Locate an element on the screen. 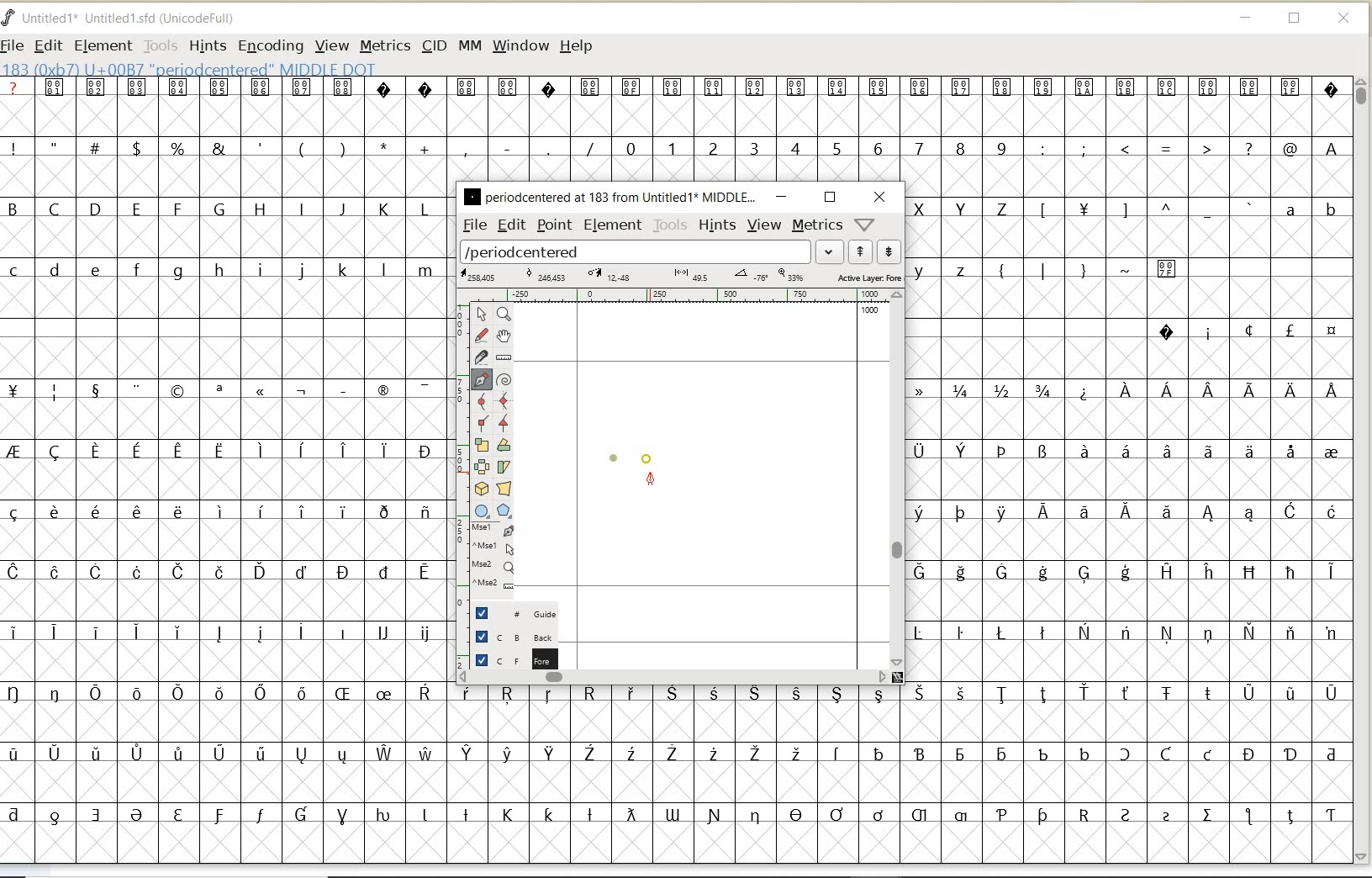  scrollbar is located at coordinates (899, 478).